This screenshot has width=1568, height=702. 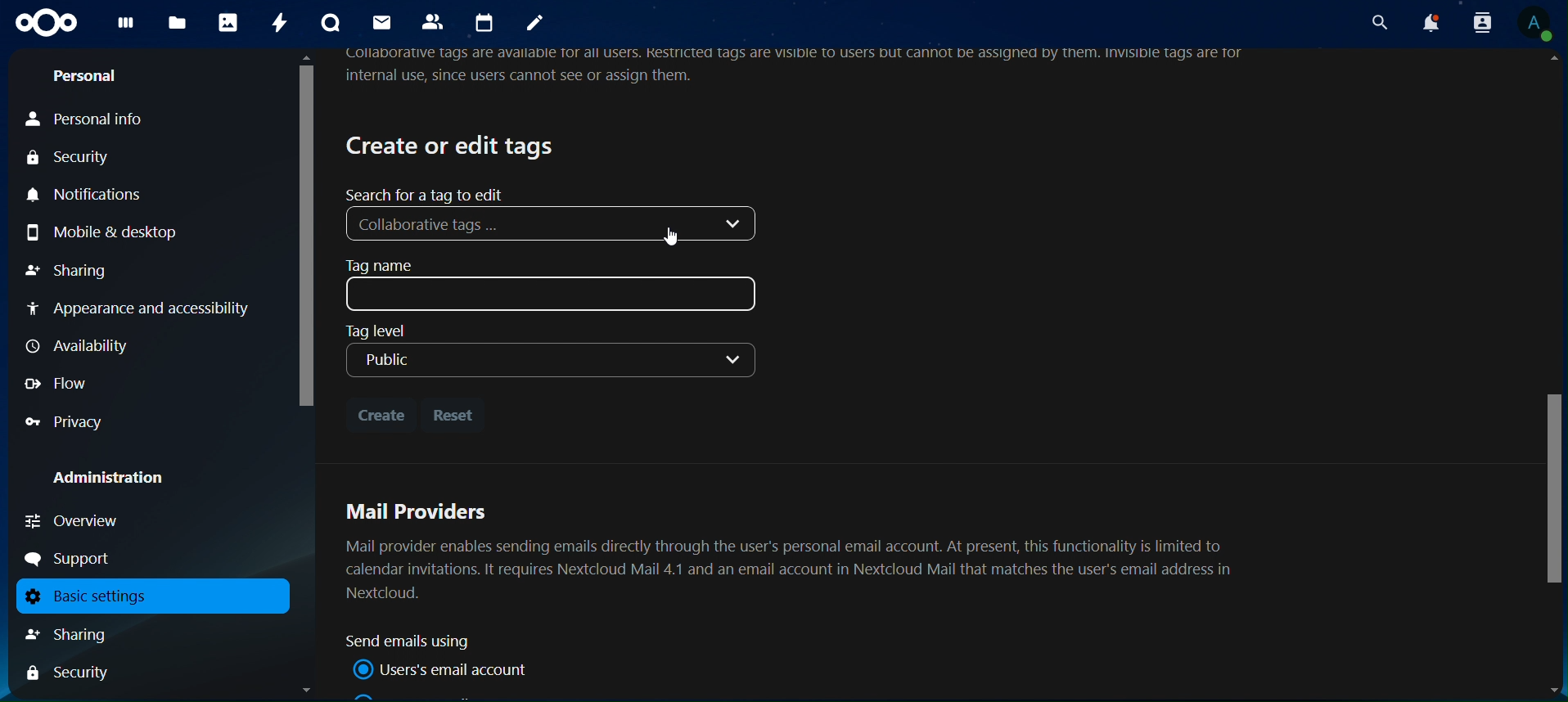 What do you see at coordinates (674, 237) in the screenshot?
I see `Cursor` at bounding box center [674, 237].